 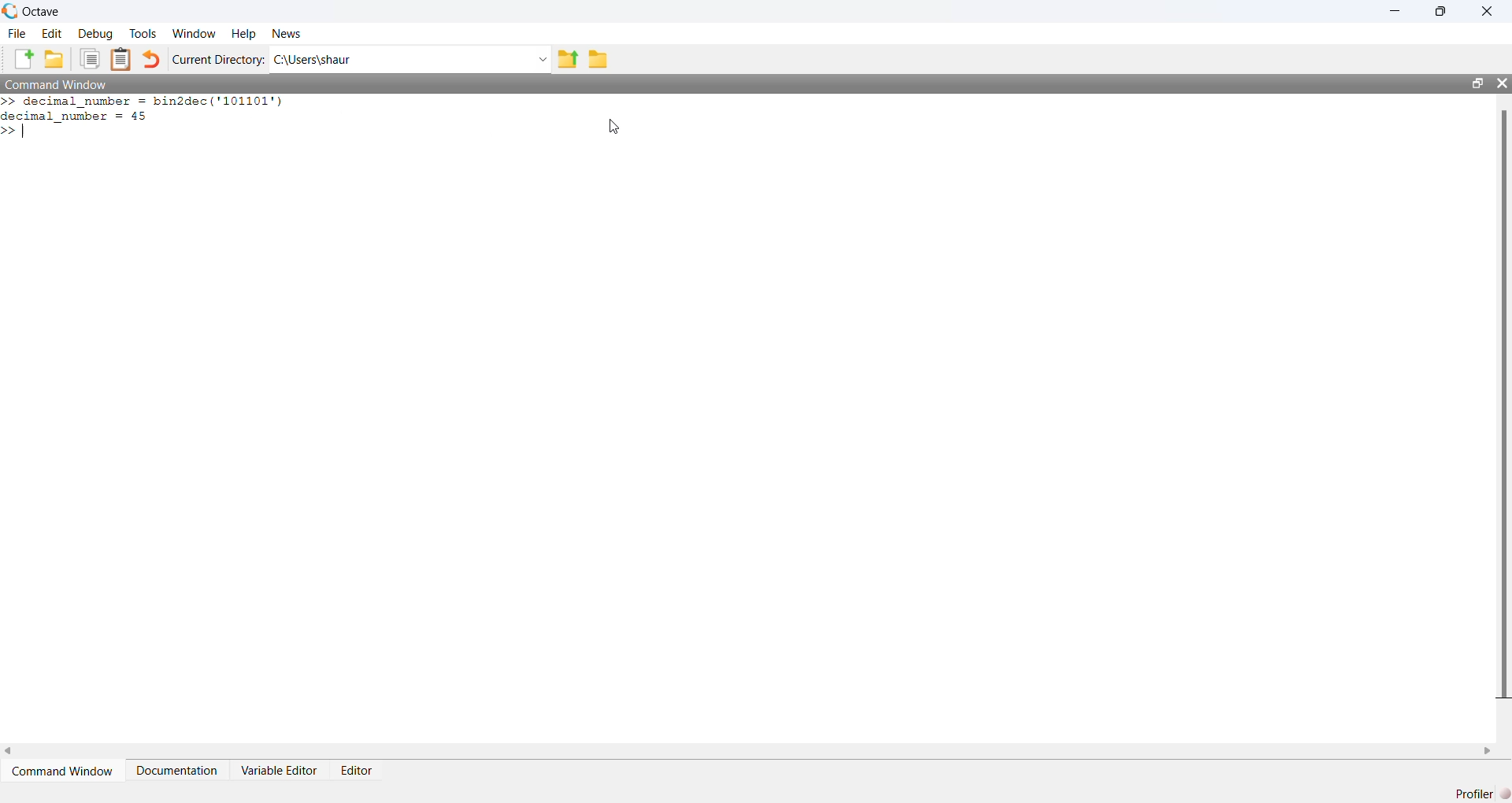 What do you see at coordinates (57, 83) in the screenshot?
I see `Command Window` at bounding box center [57, 83].